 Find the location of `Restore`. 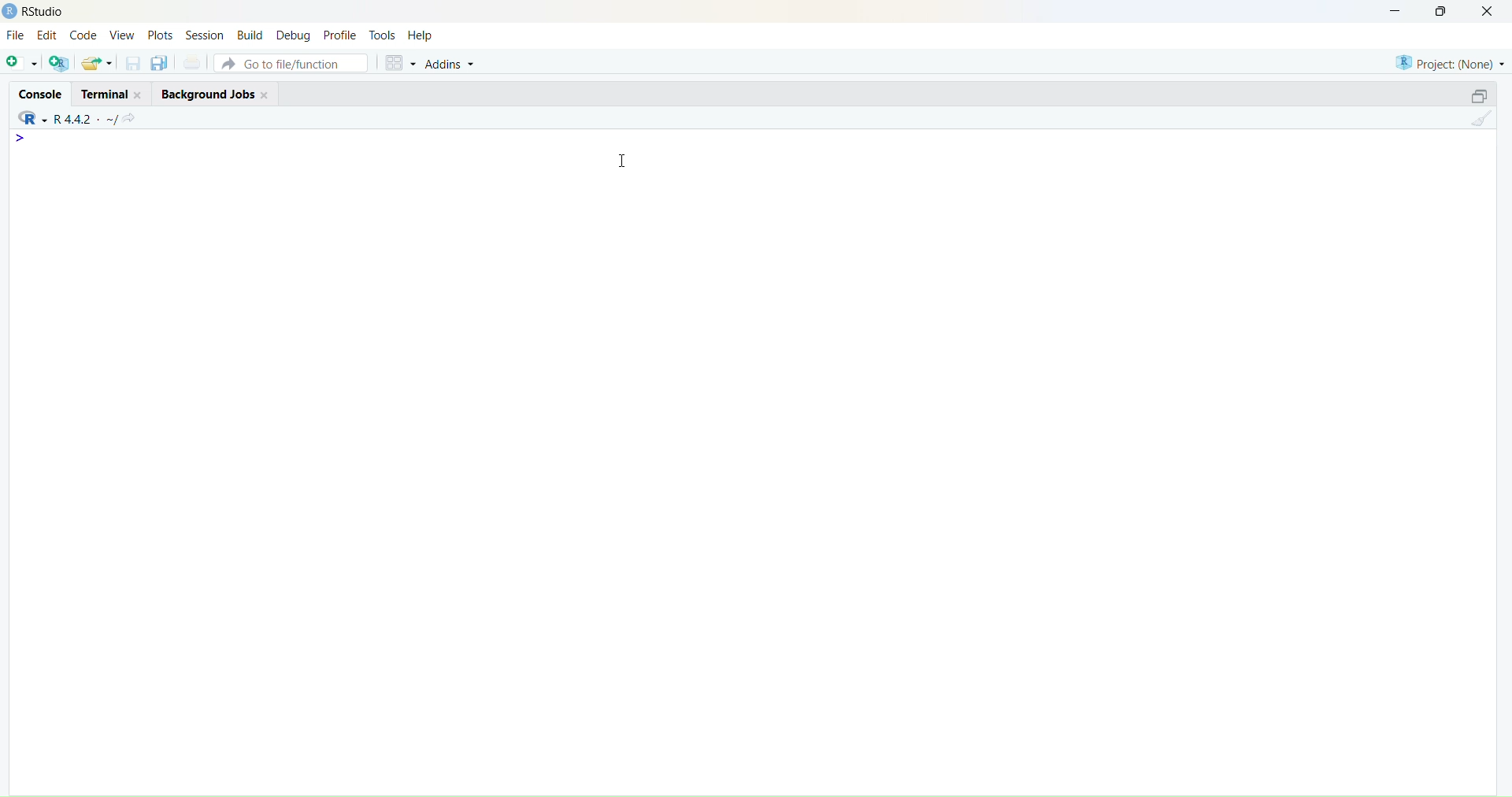

Restore is located at coordinates (1470, 98).